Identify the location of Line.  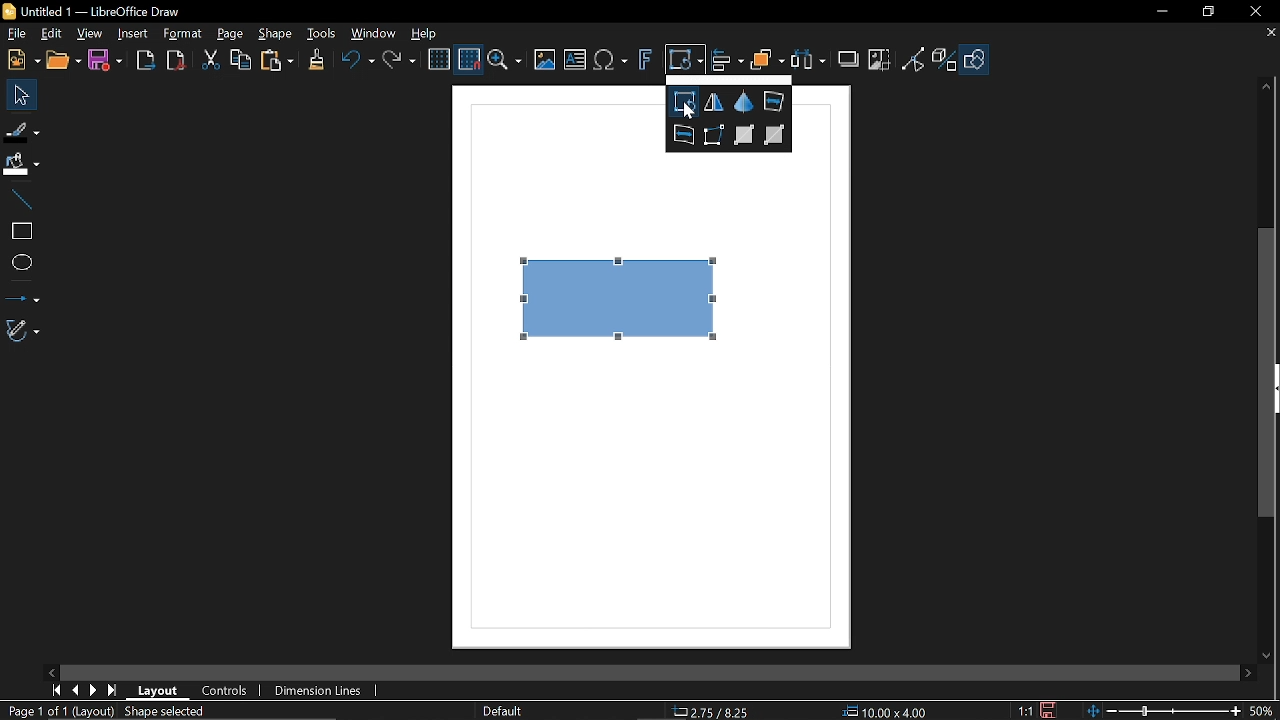
(18, 200).